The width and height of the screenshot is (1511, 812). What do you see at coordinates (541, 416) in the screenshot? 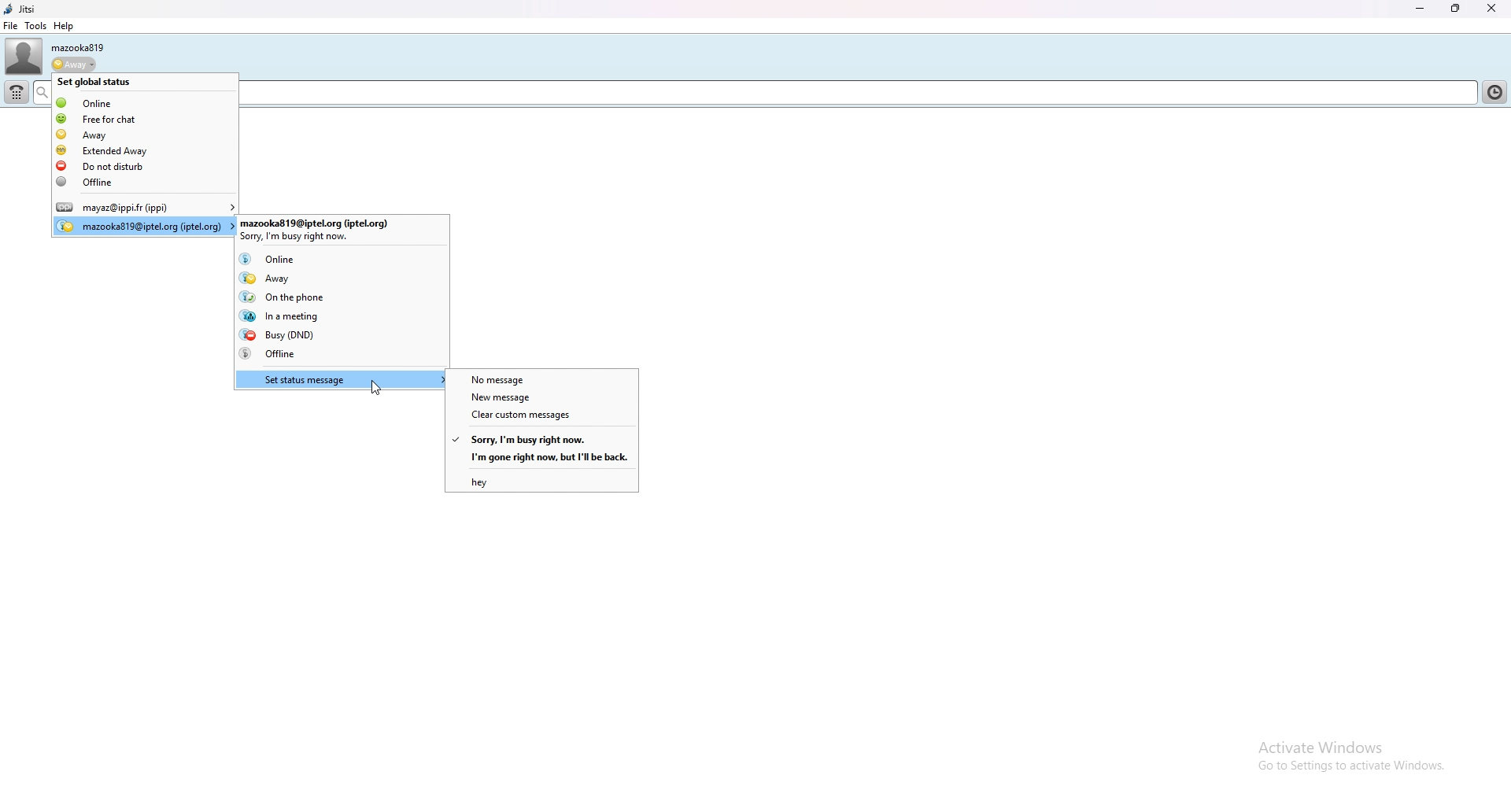
I see `clear custom messages` at bounding box center [541, 416].